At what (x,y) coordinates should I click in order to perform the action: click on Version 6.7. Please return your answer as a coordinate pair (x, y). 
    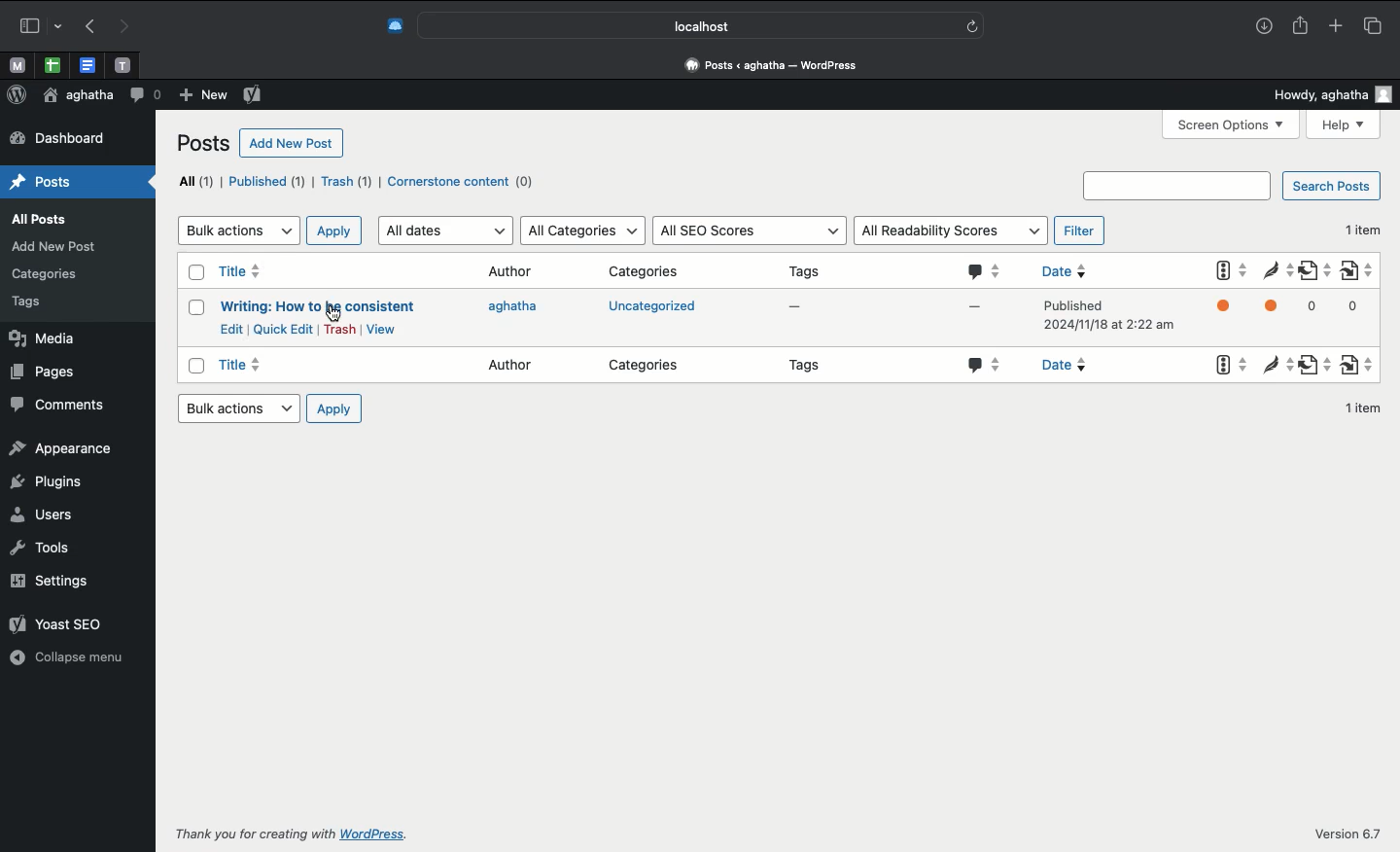
    Looking at the image, I should click on (1348, 834).